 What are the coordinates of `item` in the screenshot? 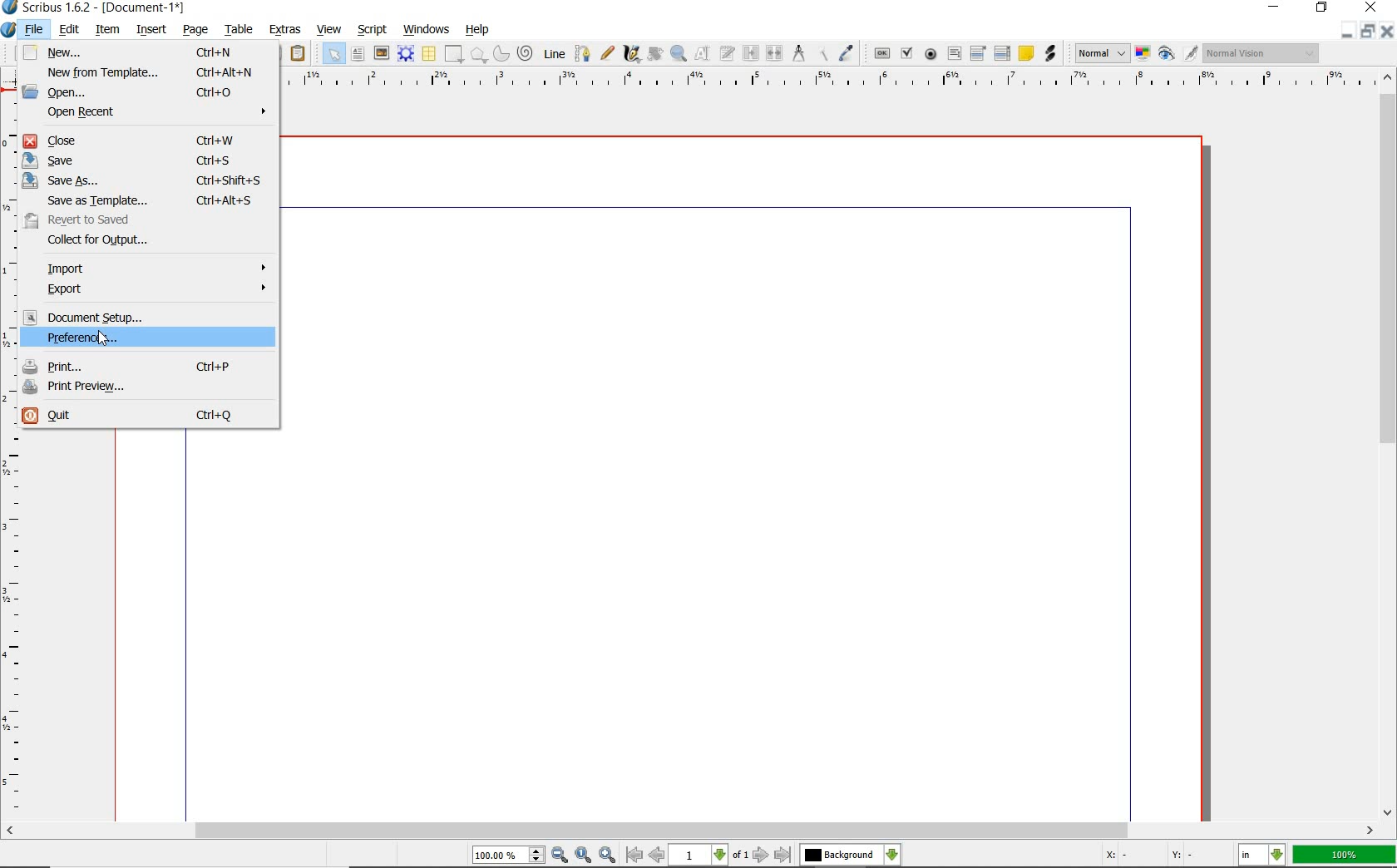 It's located at (108, 29).